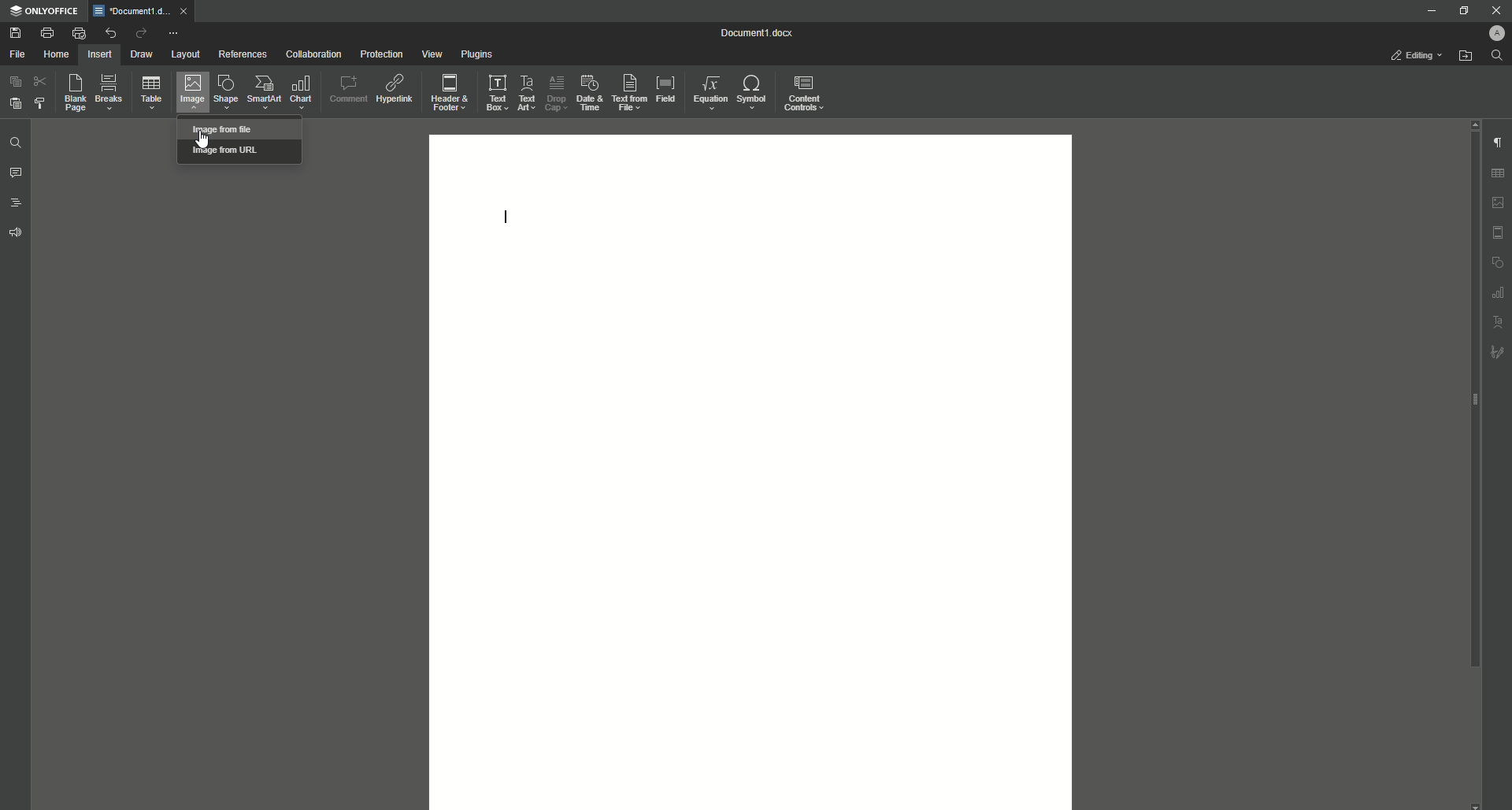 Image resolution: width=1512 pixels, height=810 pixels. What do you see at coordinates (1465, 54) in the screenshot?
I see `Open From File` at bounding box center [1465, 54].